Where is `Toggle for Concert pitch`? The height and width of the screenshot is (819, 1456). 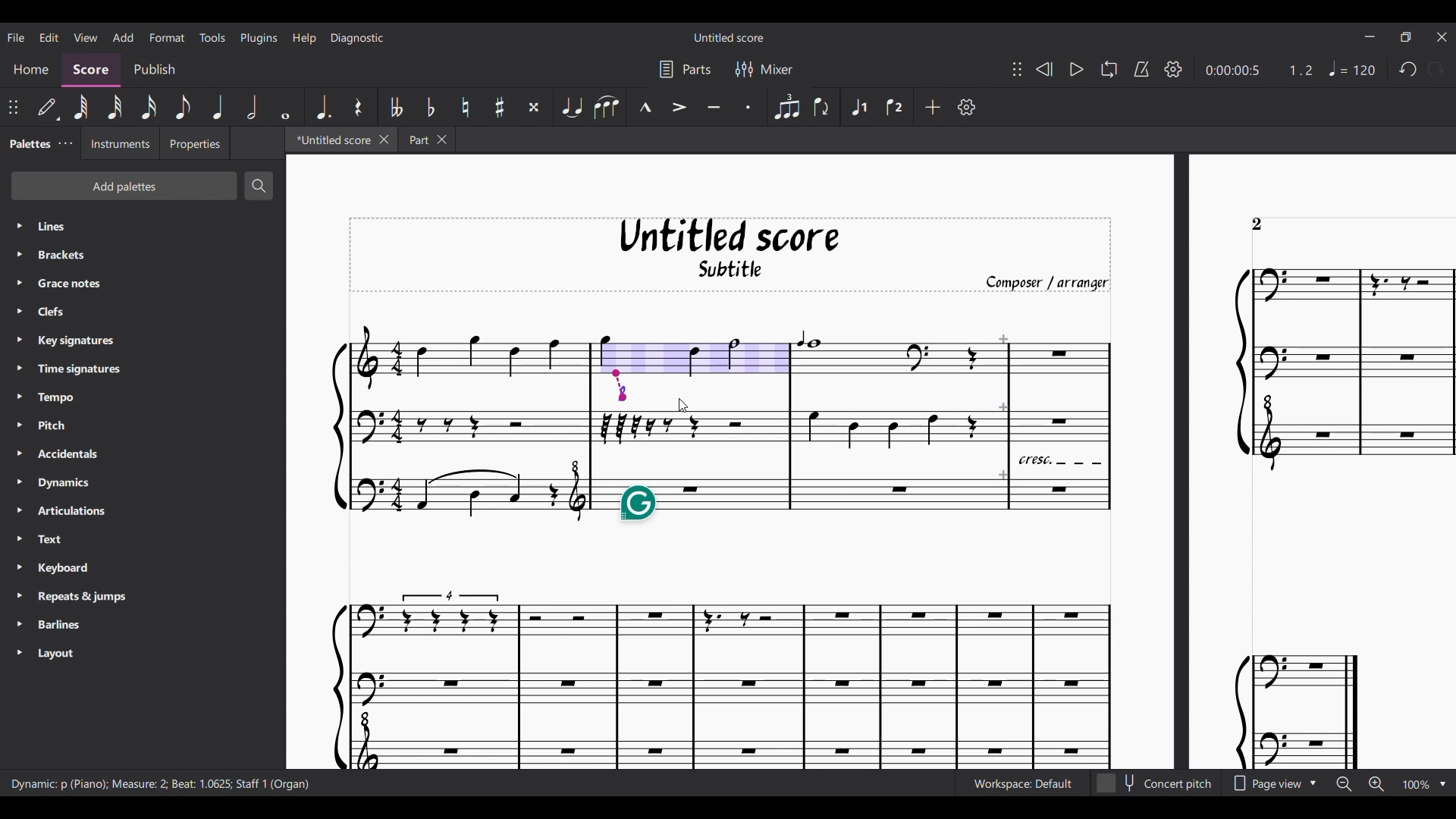
Toggle for Concert pitch is located at coordinates (1156, 783).